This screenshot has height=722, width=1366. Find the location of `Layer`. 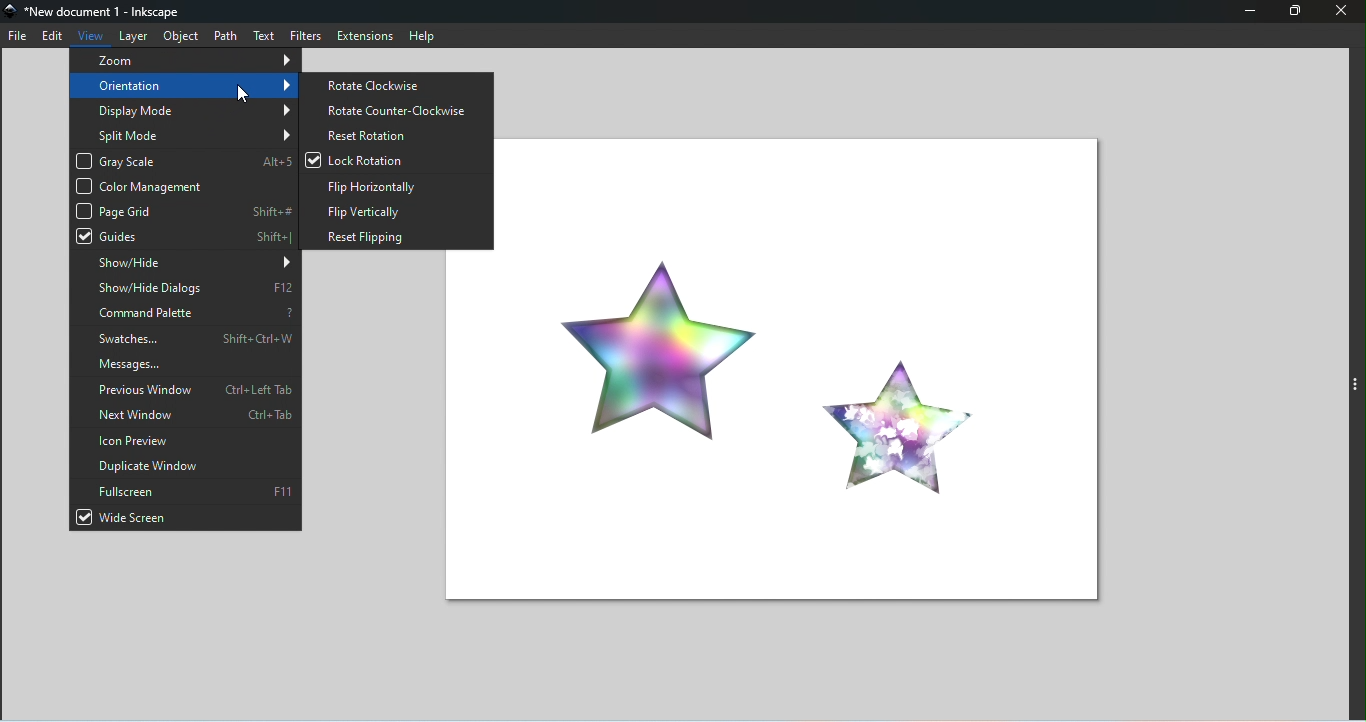

Layer is located at coordinates (136, 36).